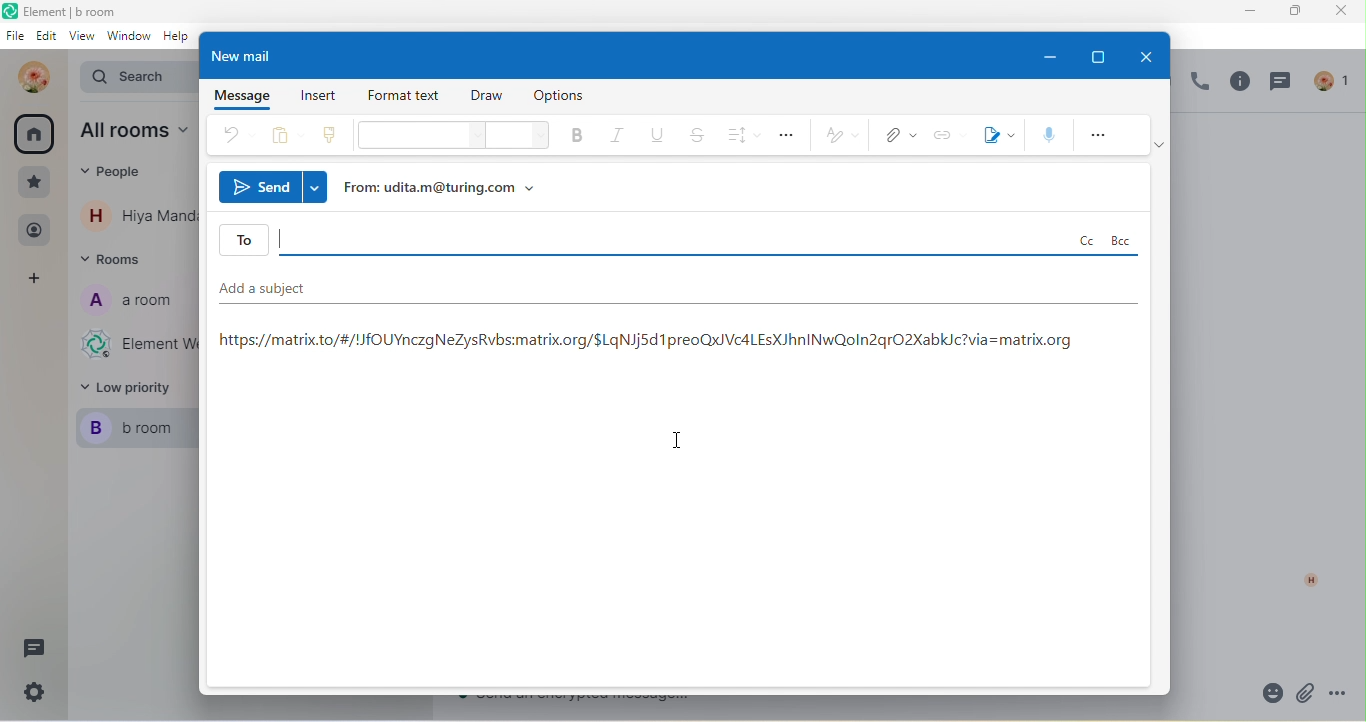 The image size is (1366, 722). What do you see at coordinates (658, 138) in the screenshot?
I see `underline` at bounding box center [658, 138].